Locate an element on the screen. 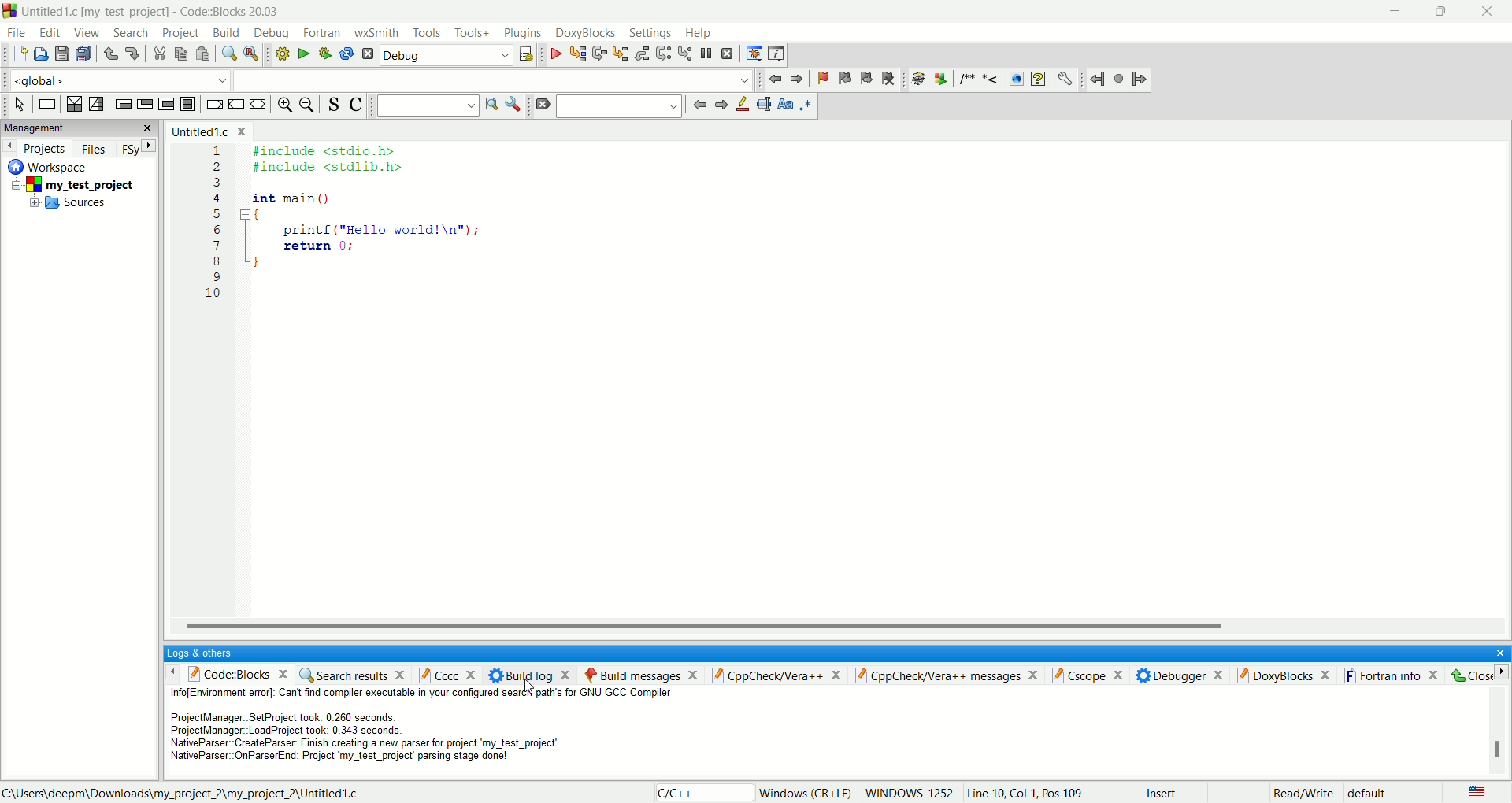 The height and width of the screenshot is (803, 1512). doxywizard is located at coordinates (916, 80).